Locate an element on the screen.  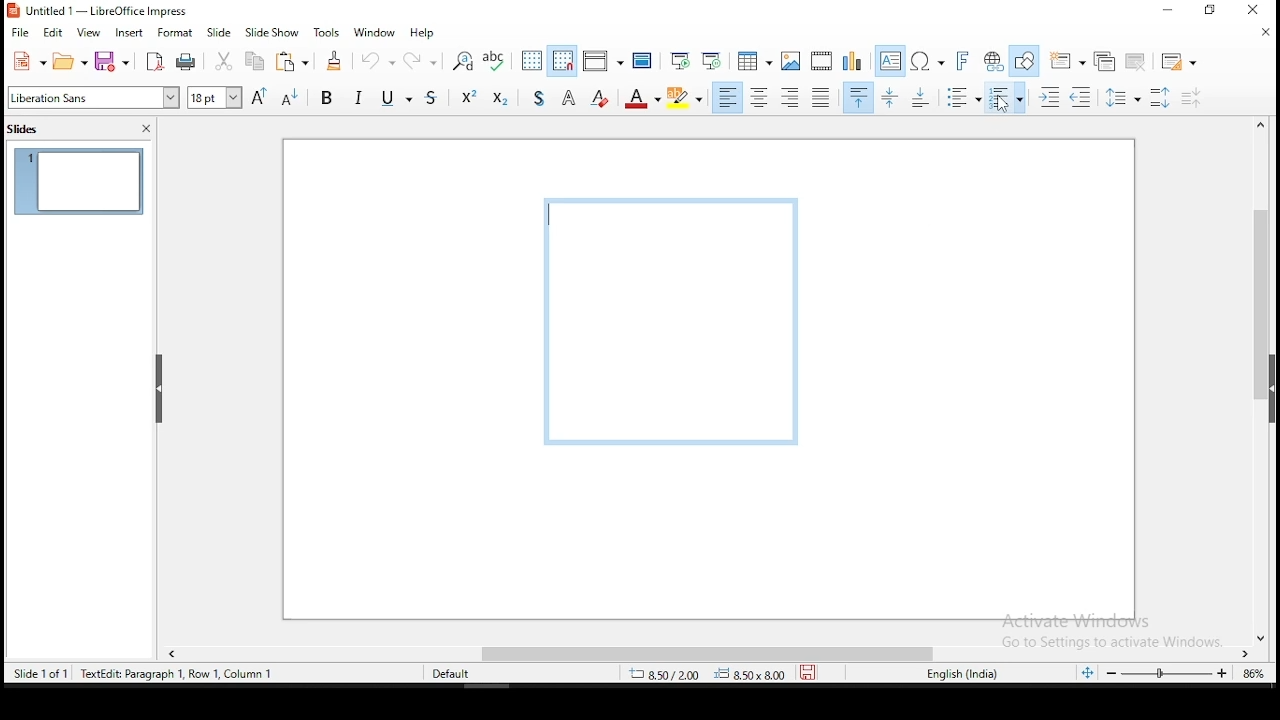
open is located at coordinates (69, 63).